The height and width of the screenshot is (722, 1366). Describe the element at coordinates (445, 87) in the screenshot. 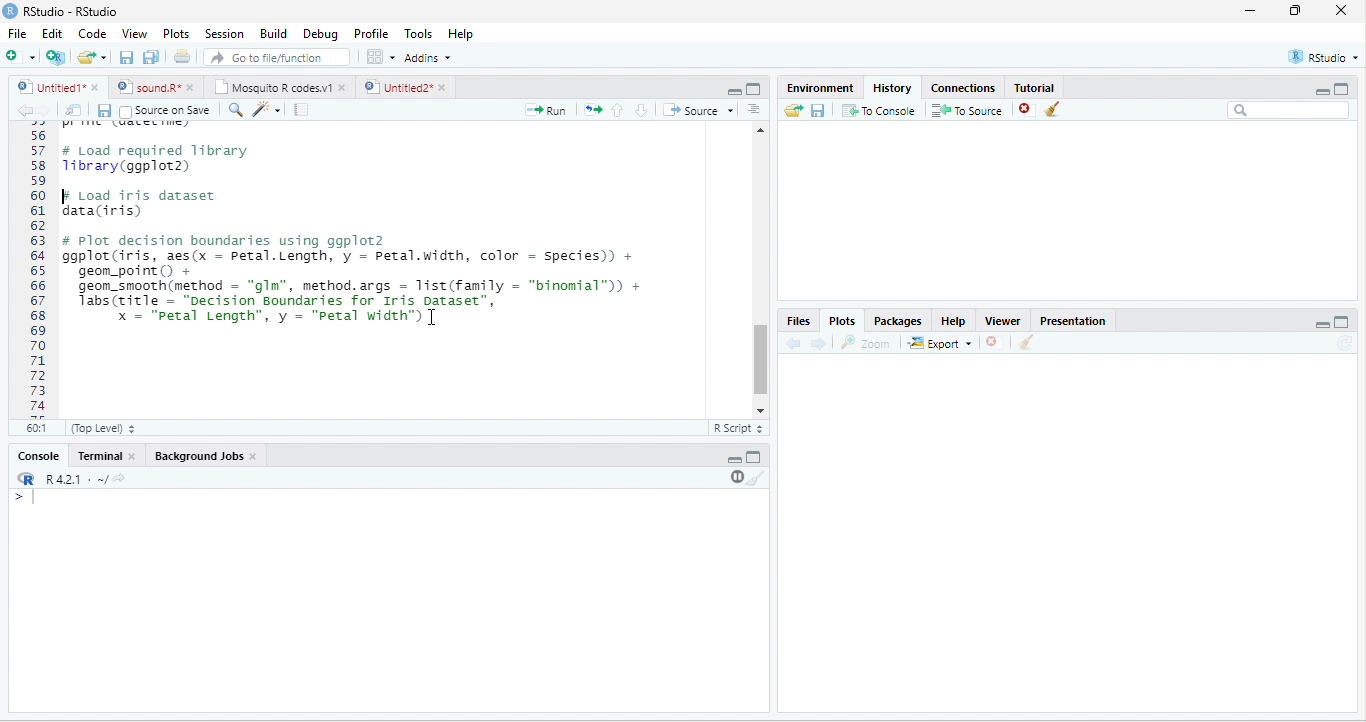

I see `close` at that location.